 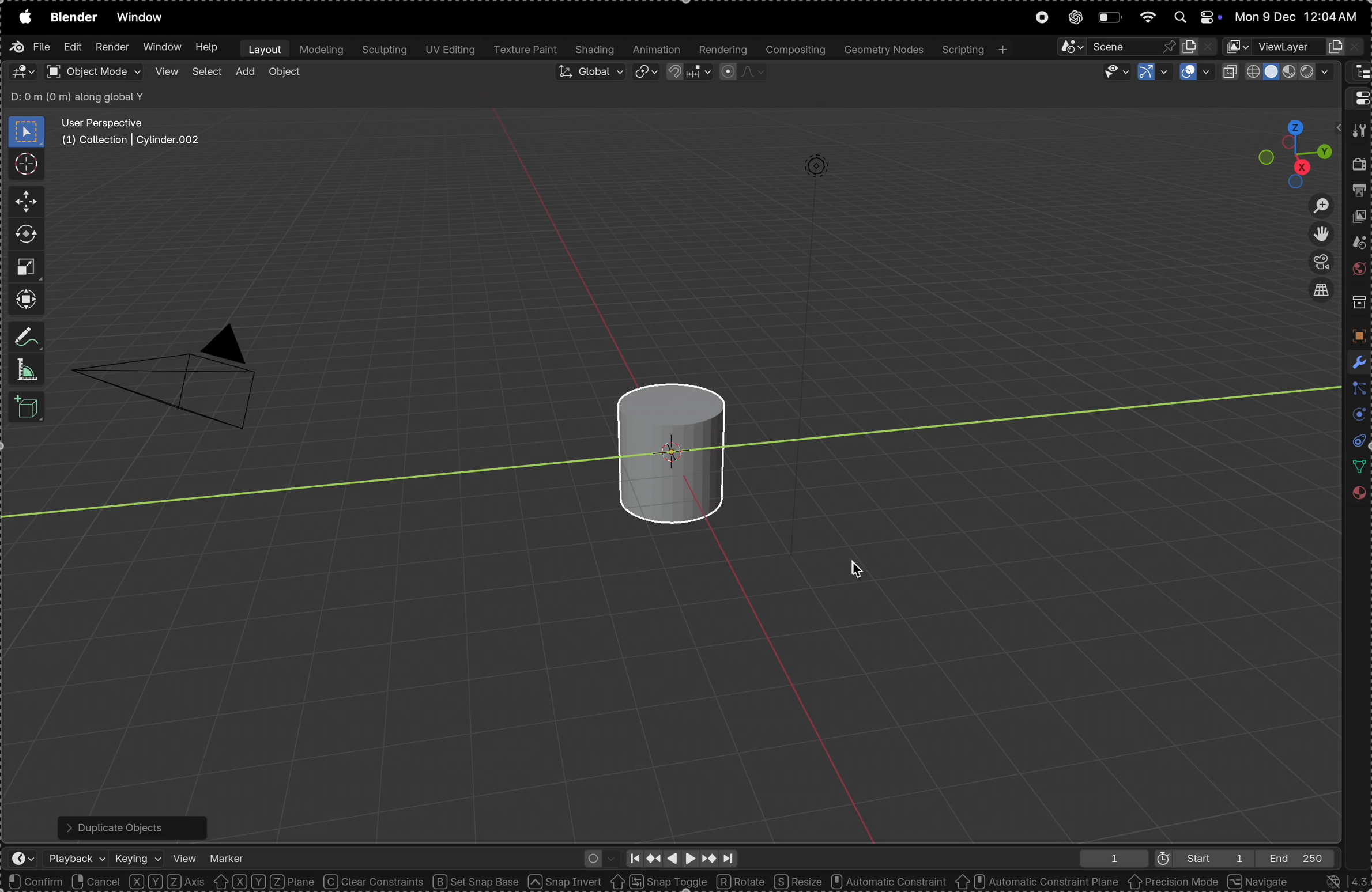 I want to click on Sculptiing, so click(x=383, y=50).